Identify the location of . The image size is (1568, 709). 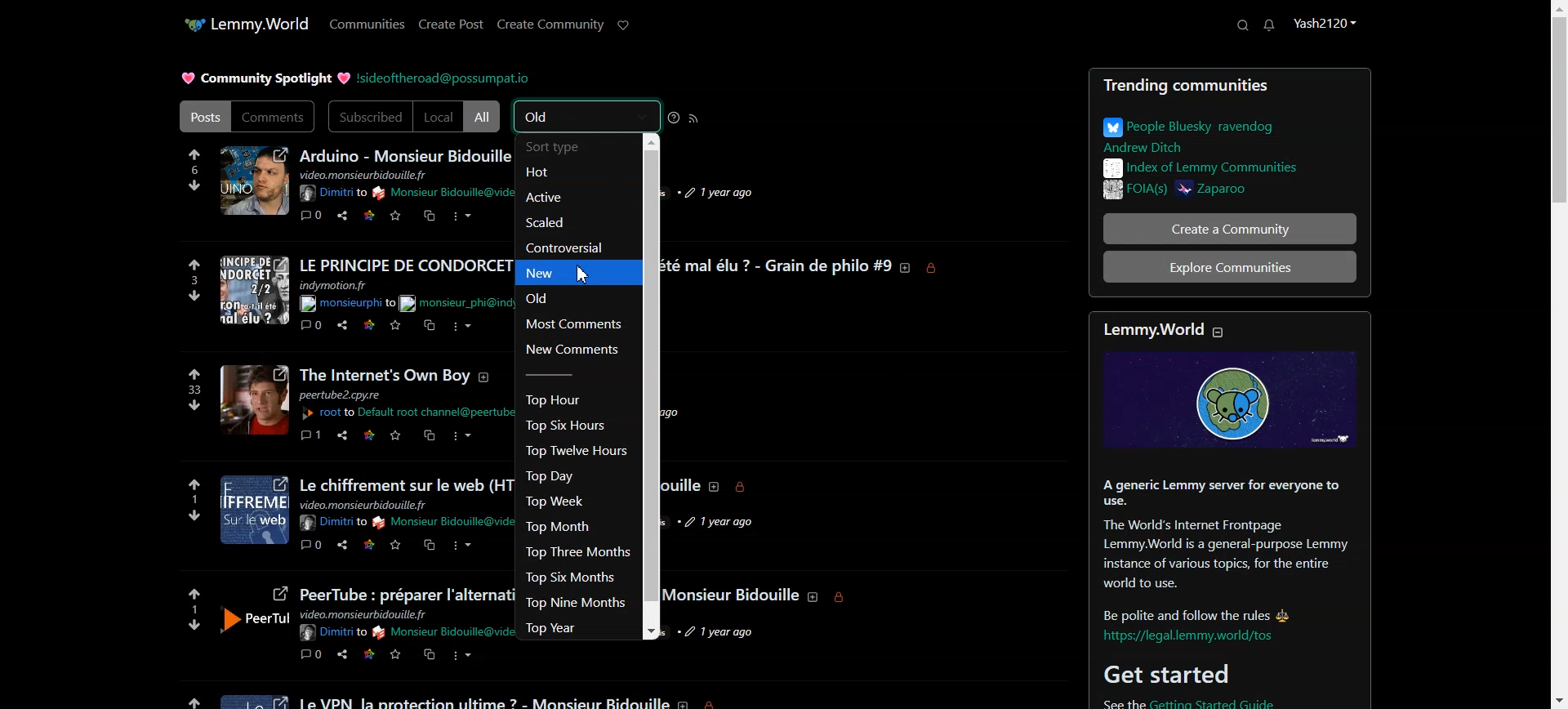
(715, 484).